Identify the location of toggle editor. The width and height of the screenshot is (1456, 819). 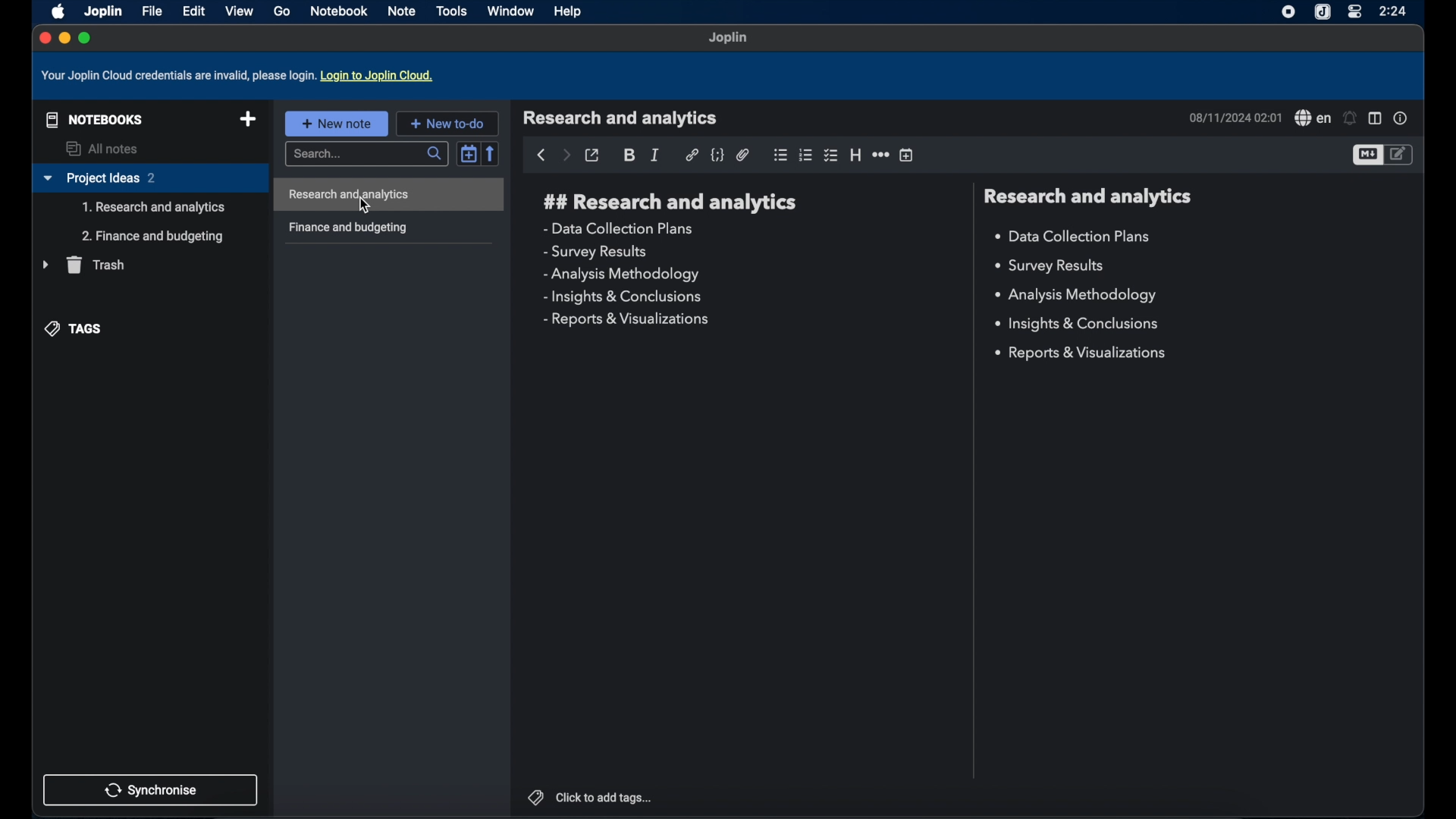
(1401, 154).